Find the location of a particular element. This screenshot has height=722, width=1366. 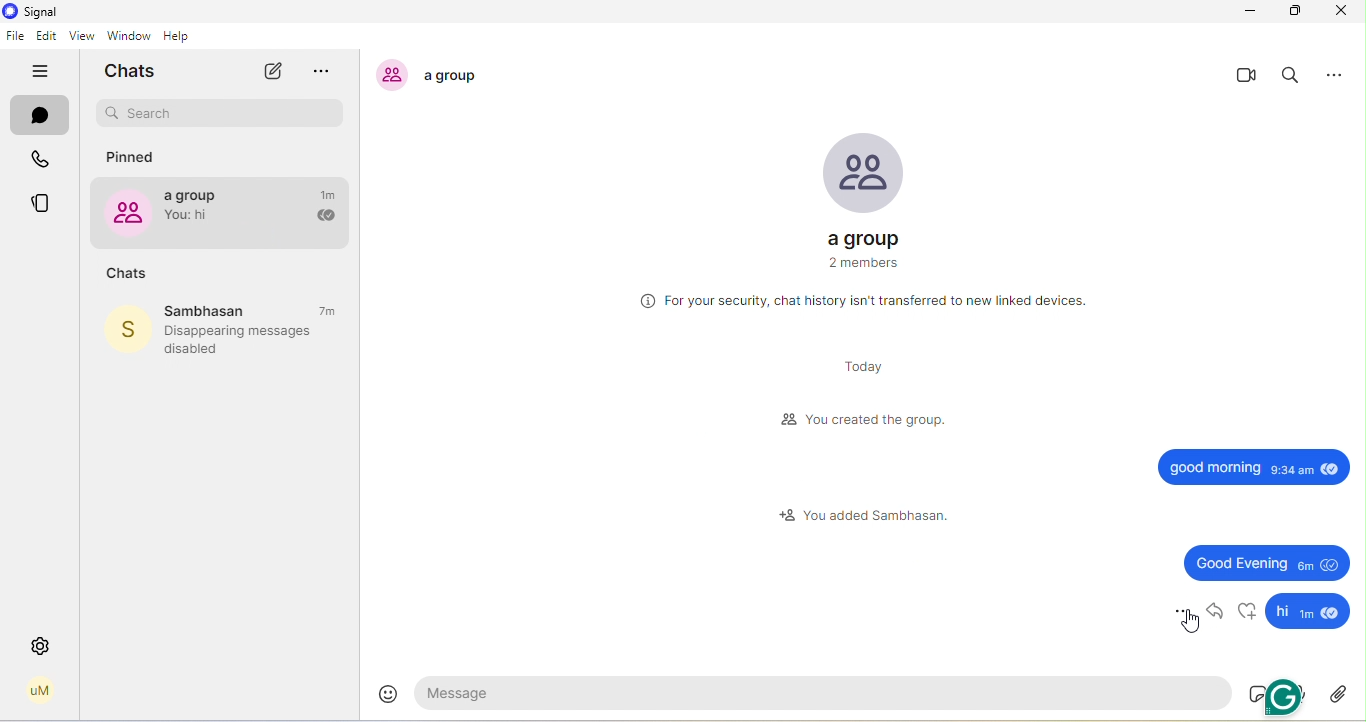

today is located at coordinates (858, 368).